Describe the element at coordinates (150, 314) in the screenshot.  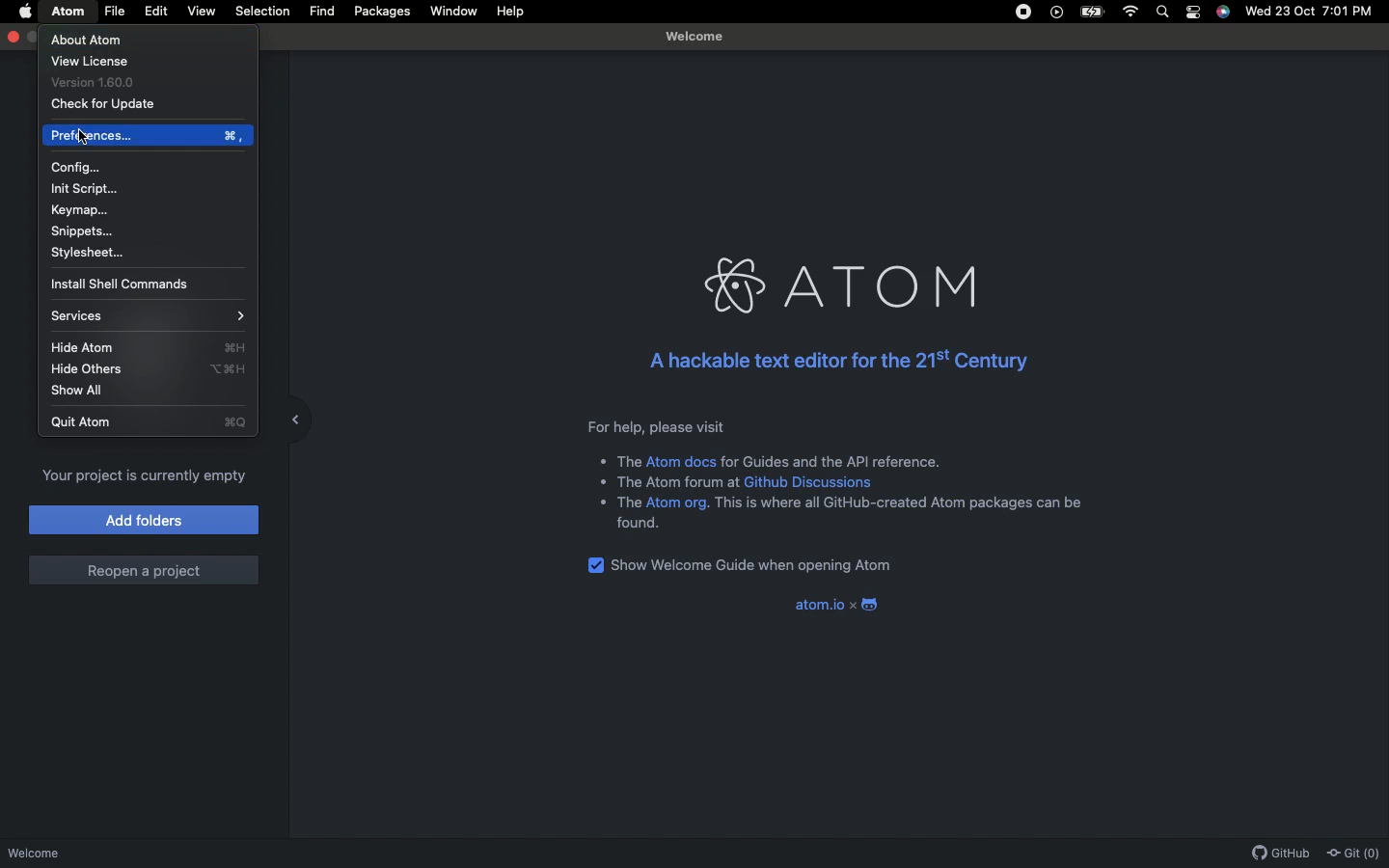
I see `Services` at that location.